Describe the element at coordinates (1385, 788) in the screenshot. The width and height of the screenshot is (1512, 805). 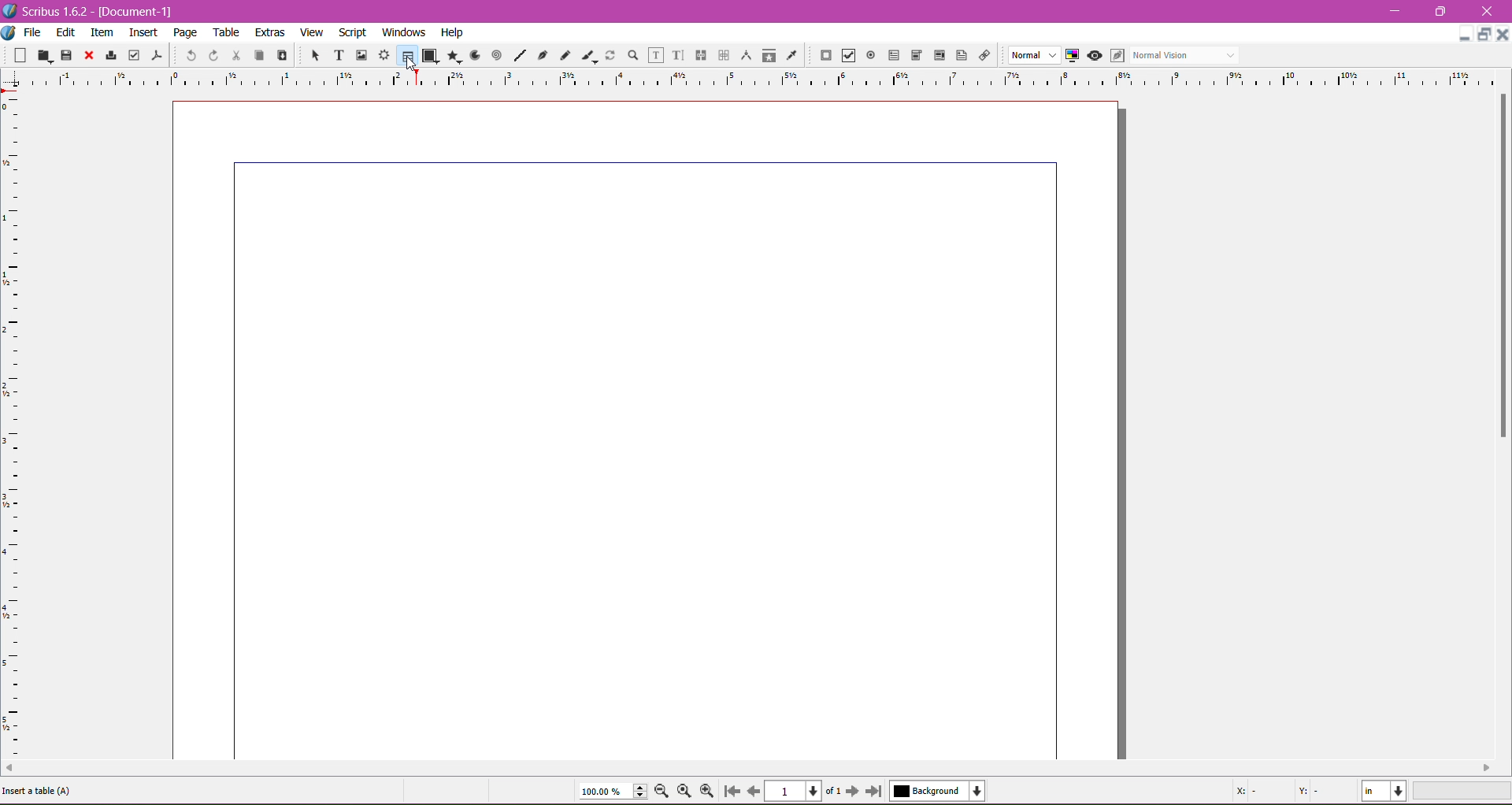
I see `in / Unit` at that location.